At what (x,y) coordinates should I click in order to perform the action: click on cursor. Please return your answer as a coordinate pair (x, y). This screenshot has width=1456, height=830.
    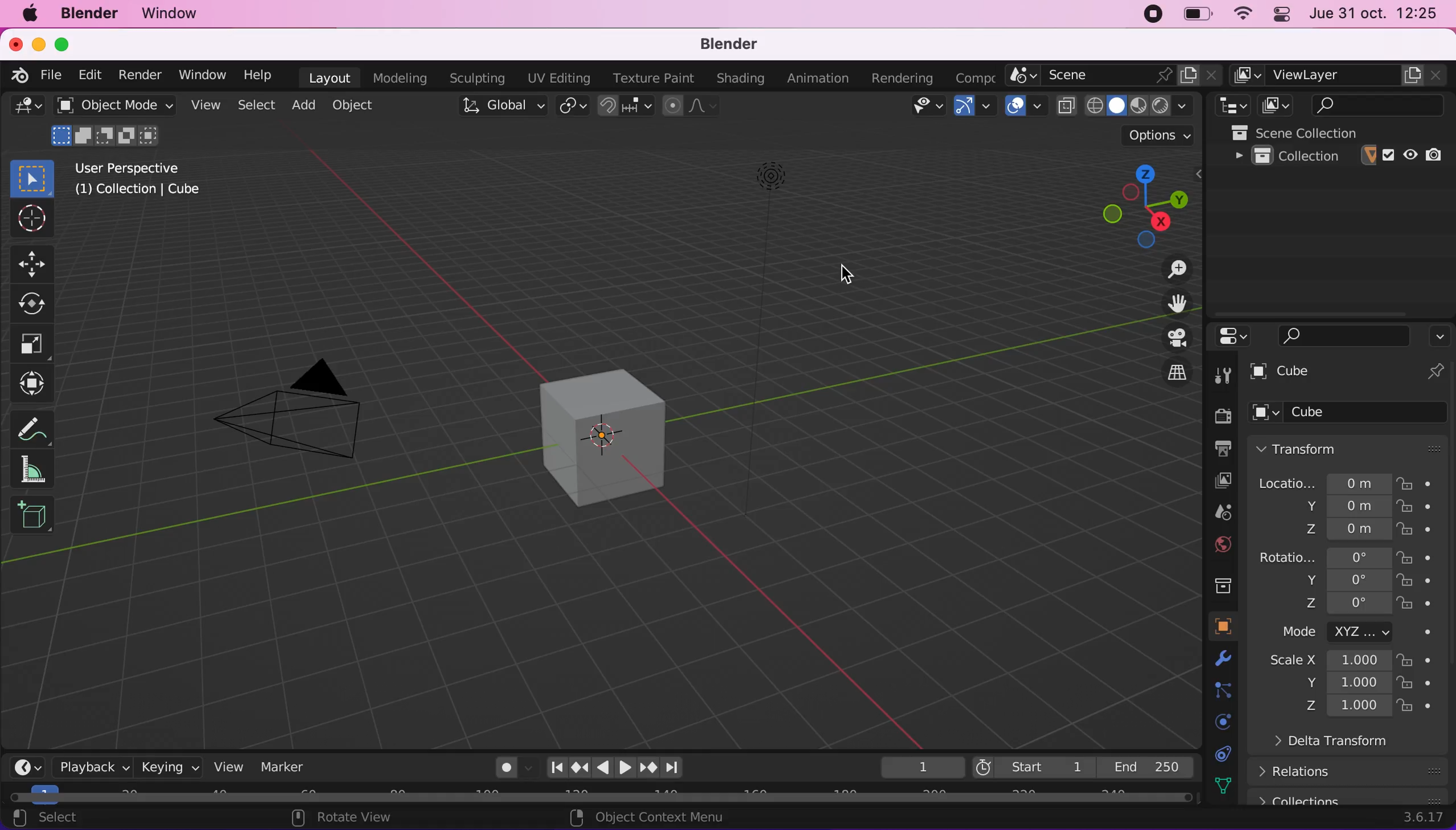
    Looking at the image, I should click on (31, 220).